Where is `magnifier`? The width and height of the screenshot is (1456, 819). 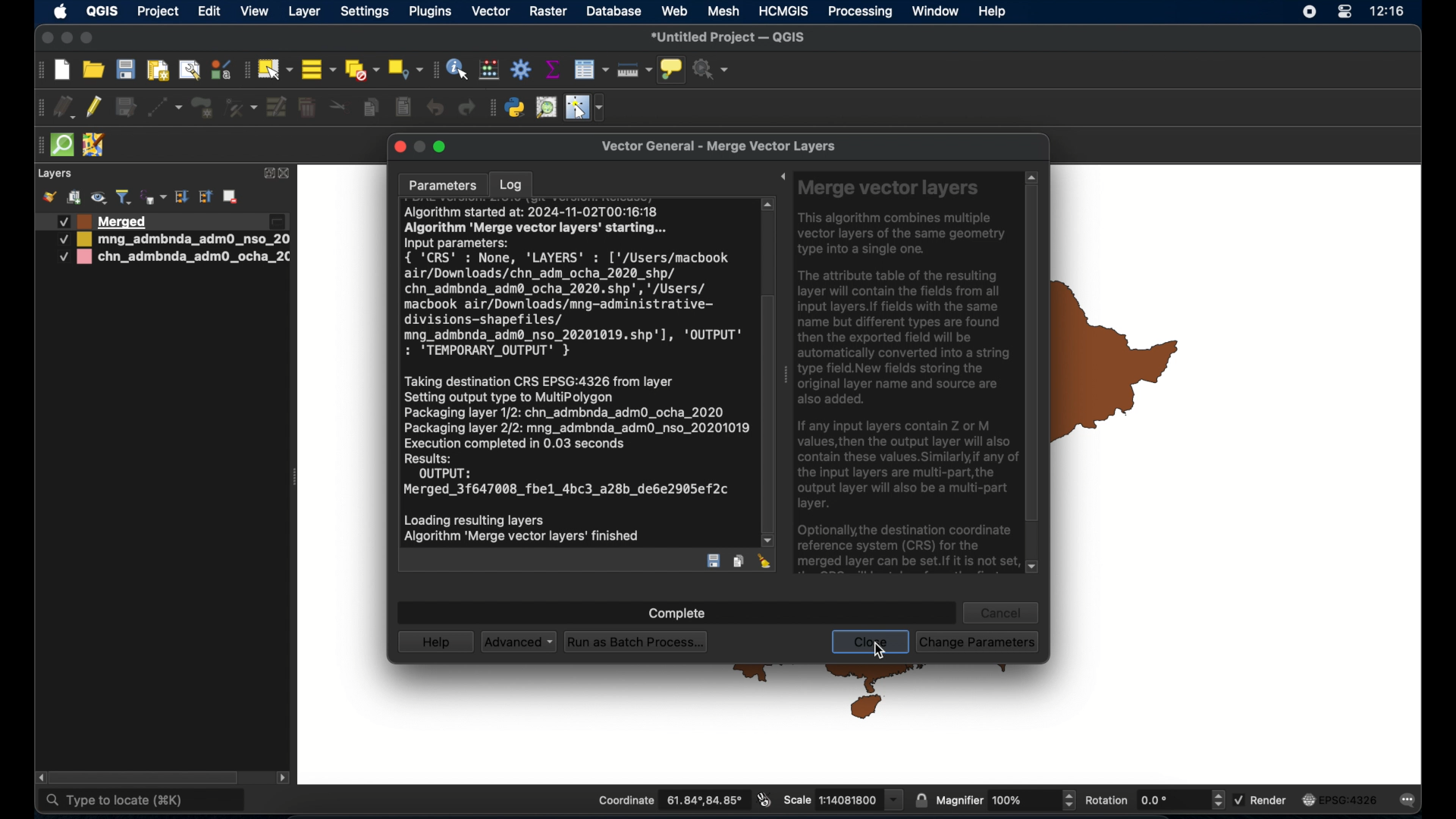 magnifier is located at coordinates (1006, 800).